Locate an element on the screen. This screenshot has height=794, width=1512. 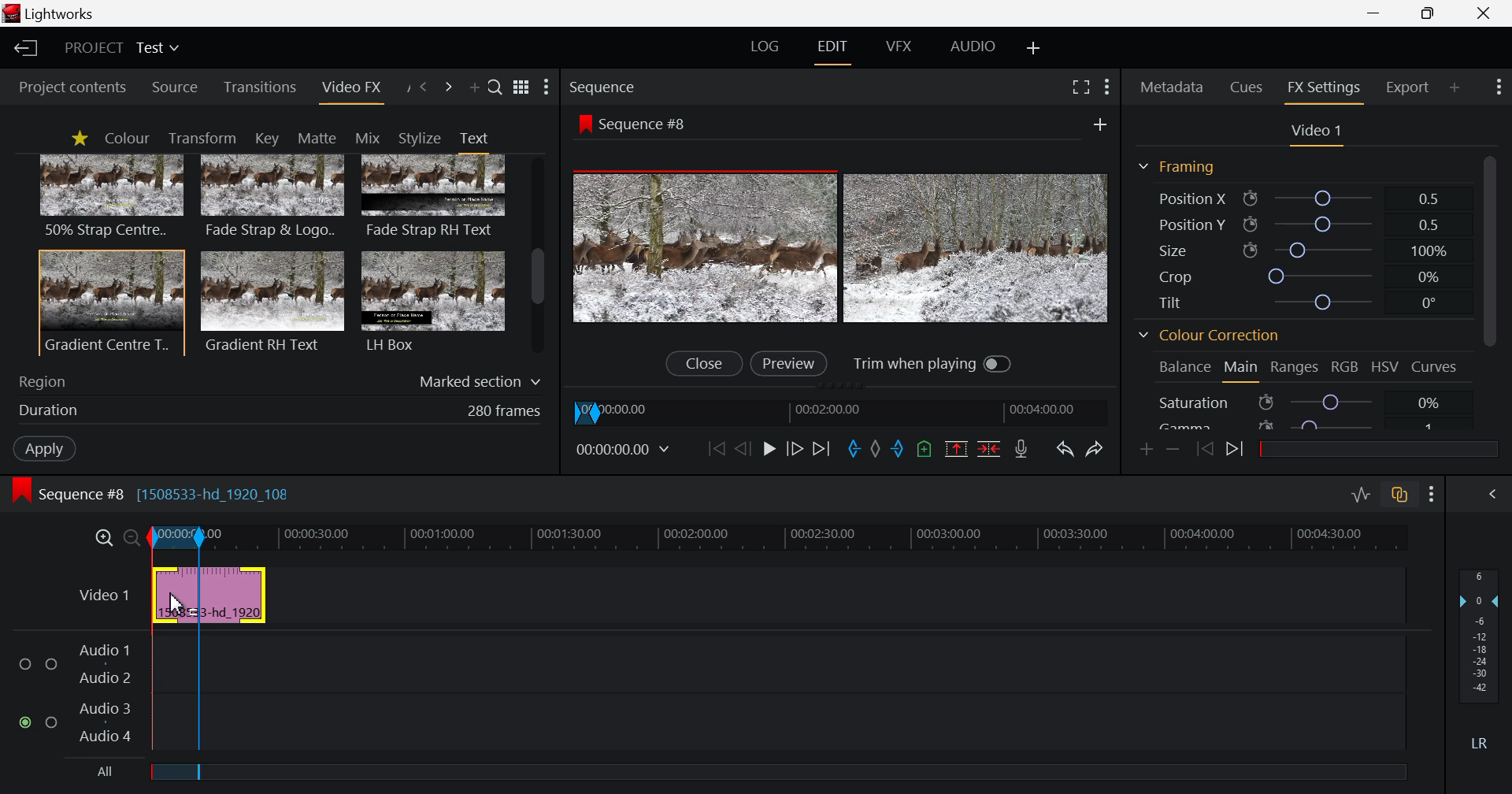
Go Forward is located at coordinates (793, 447).